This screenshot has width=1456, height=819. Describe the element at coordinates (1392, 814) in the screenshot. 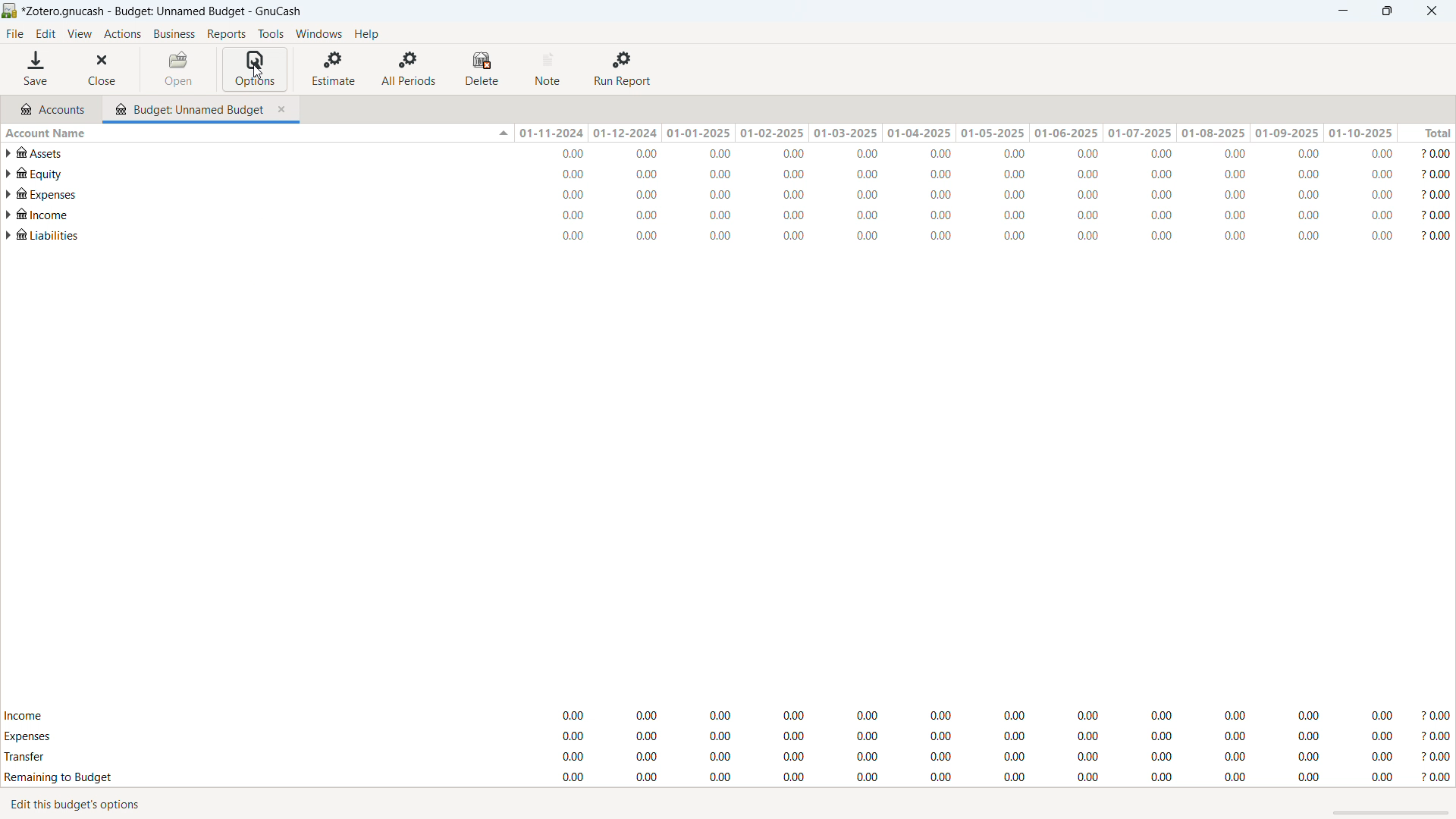

I see `scrollbar` at that location.